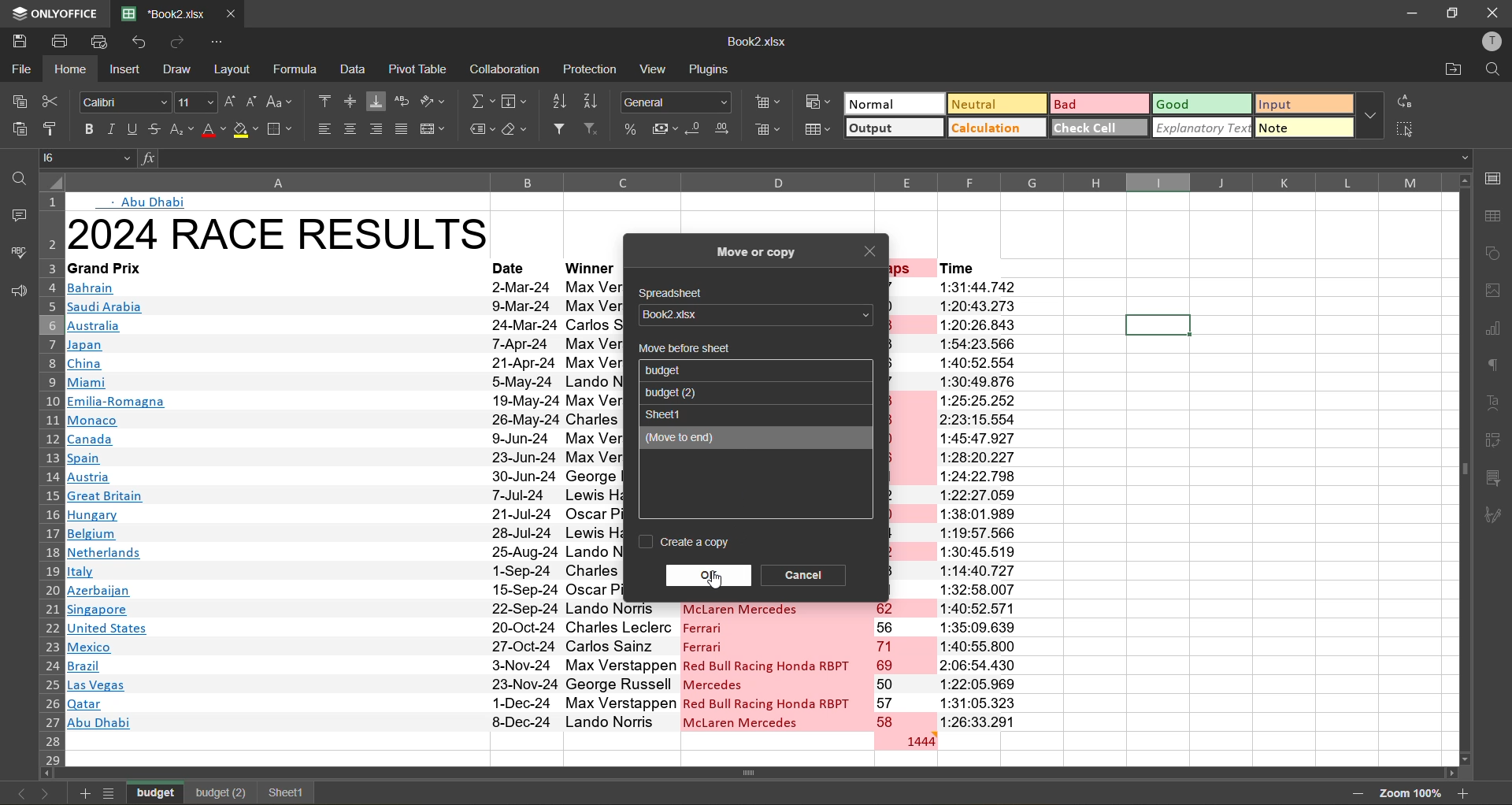 The image size is (1512, 805). Describe the element at coordinates (755, 248) in the screenshot. I see `move or copy` at that location.